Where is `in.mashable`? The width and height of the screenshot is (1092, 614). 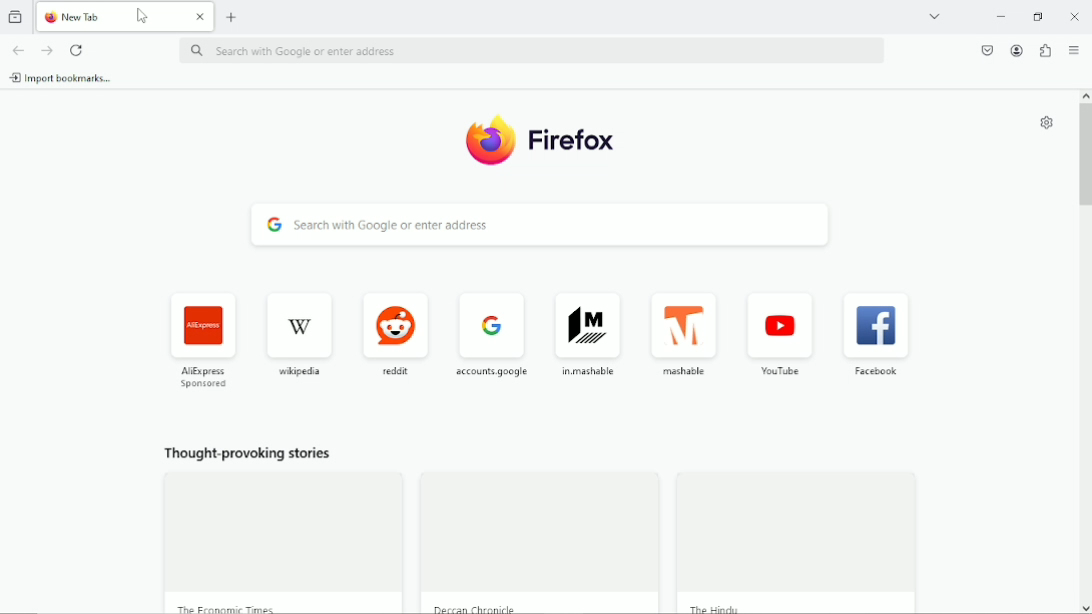 in.mashable is located at coordinates (591, 334).